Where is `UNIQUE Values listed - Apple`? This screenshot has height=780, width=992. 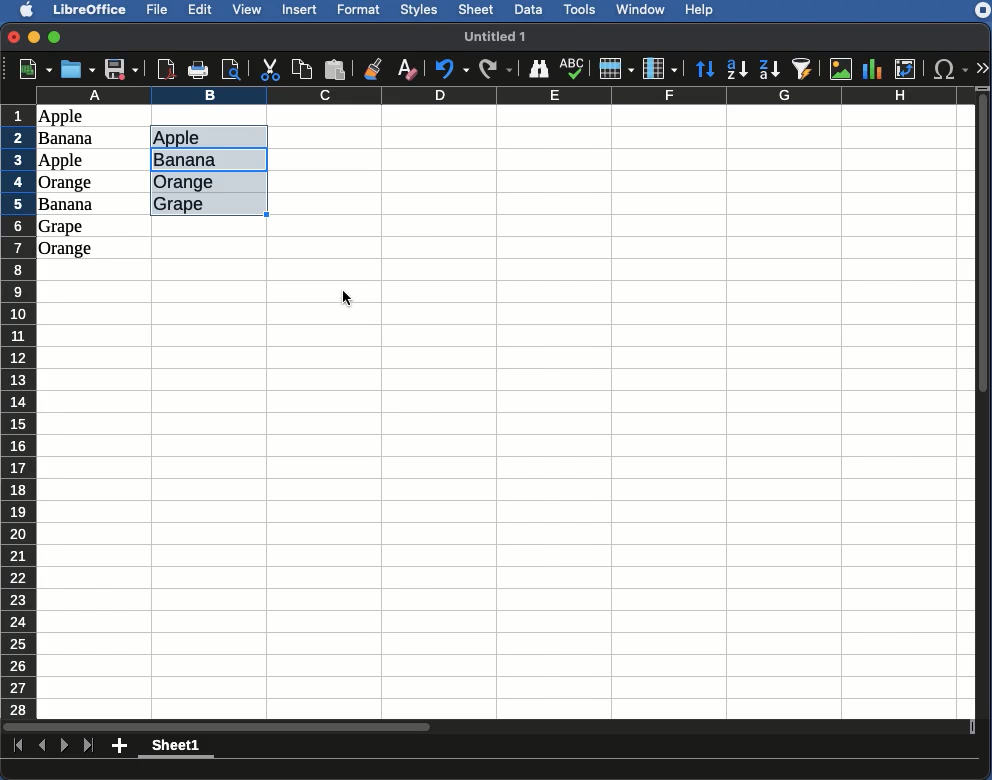
UNIQUE Values listed - Apple is located at coordinates (208, 137).